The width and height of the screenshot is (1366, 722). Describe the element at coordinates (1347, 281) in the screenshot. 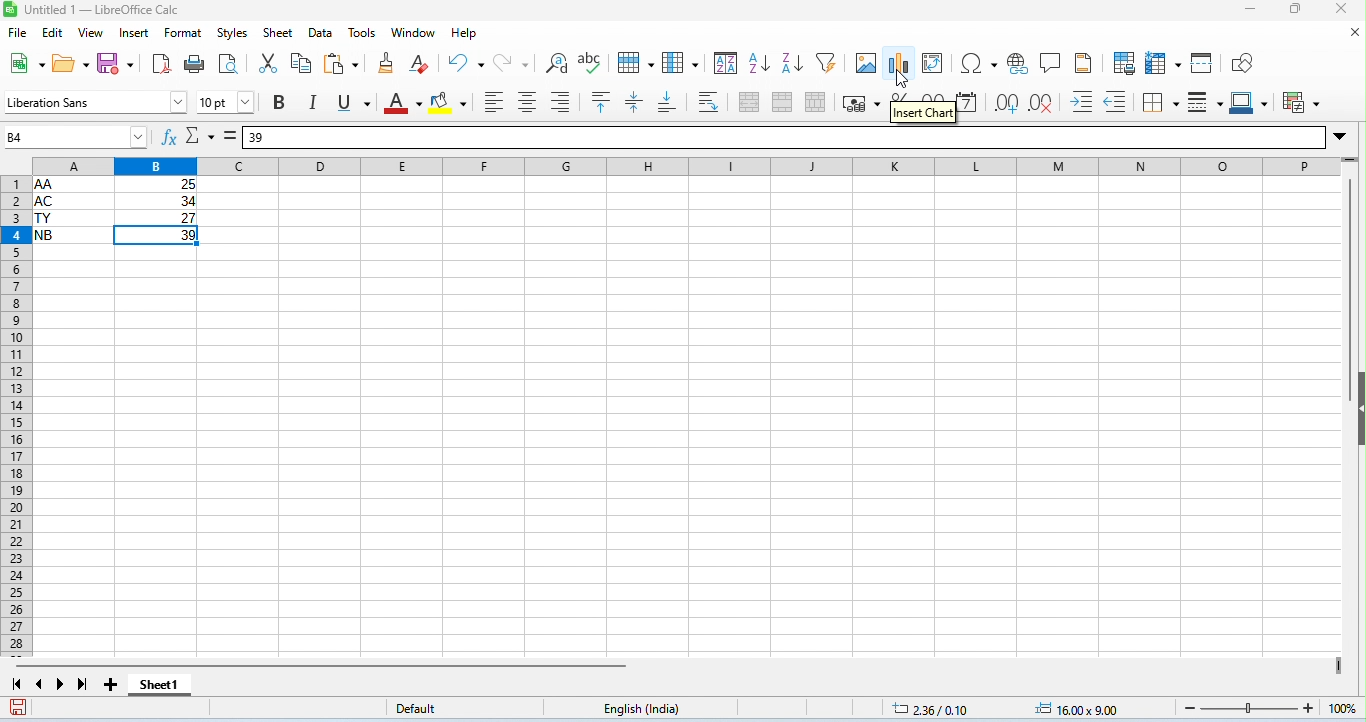

I see `vertical scroll bar` at that location.